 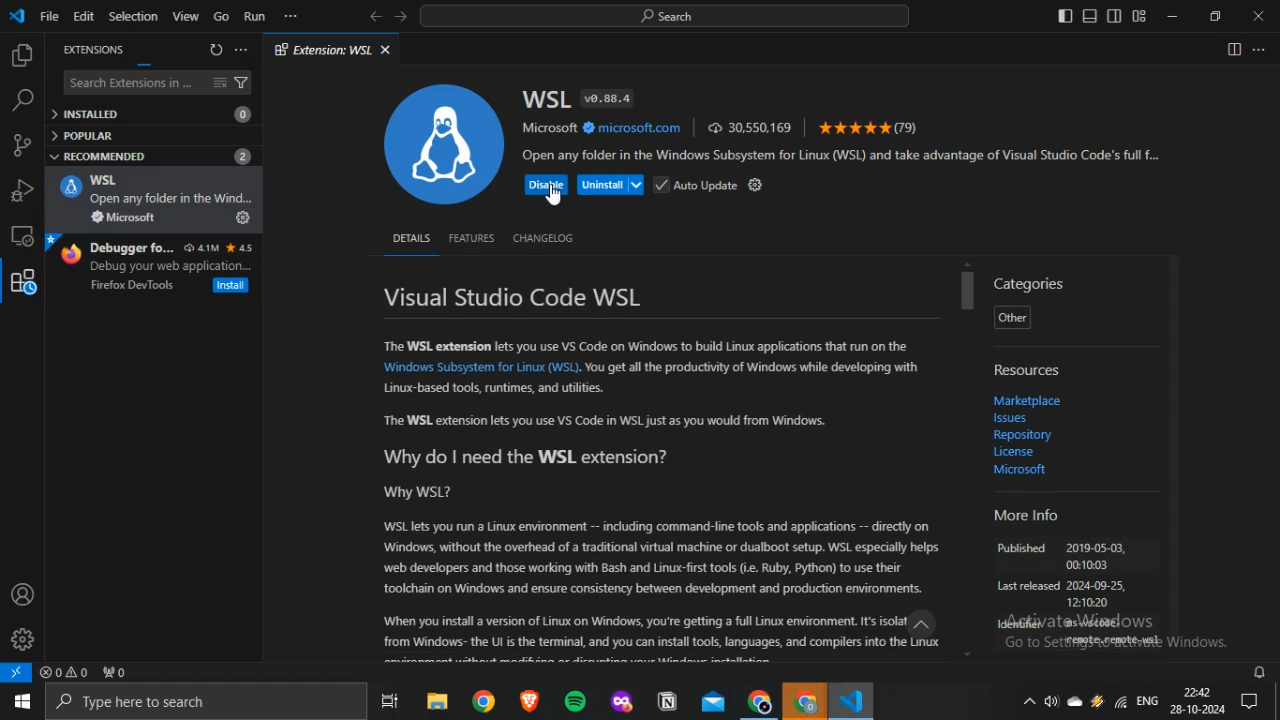 I want to click on spotify, so click(x=576, y=701).